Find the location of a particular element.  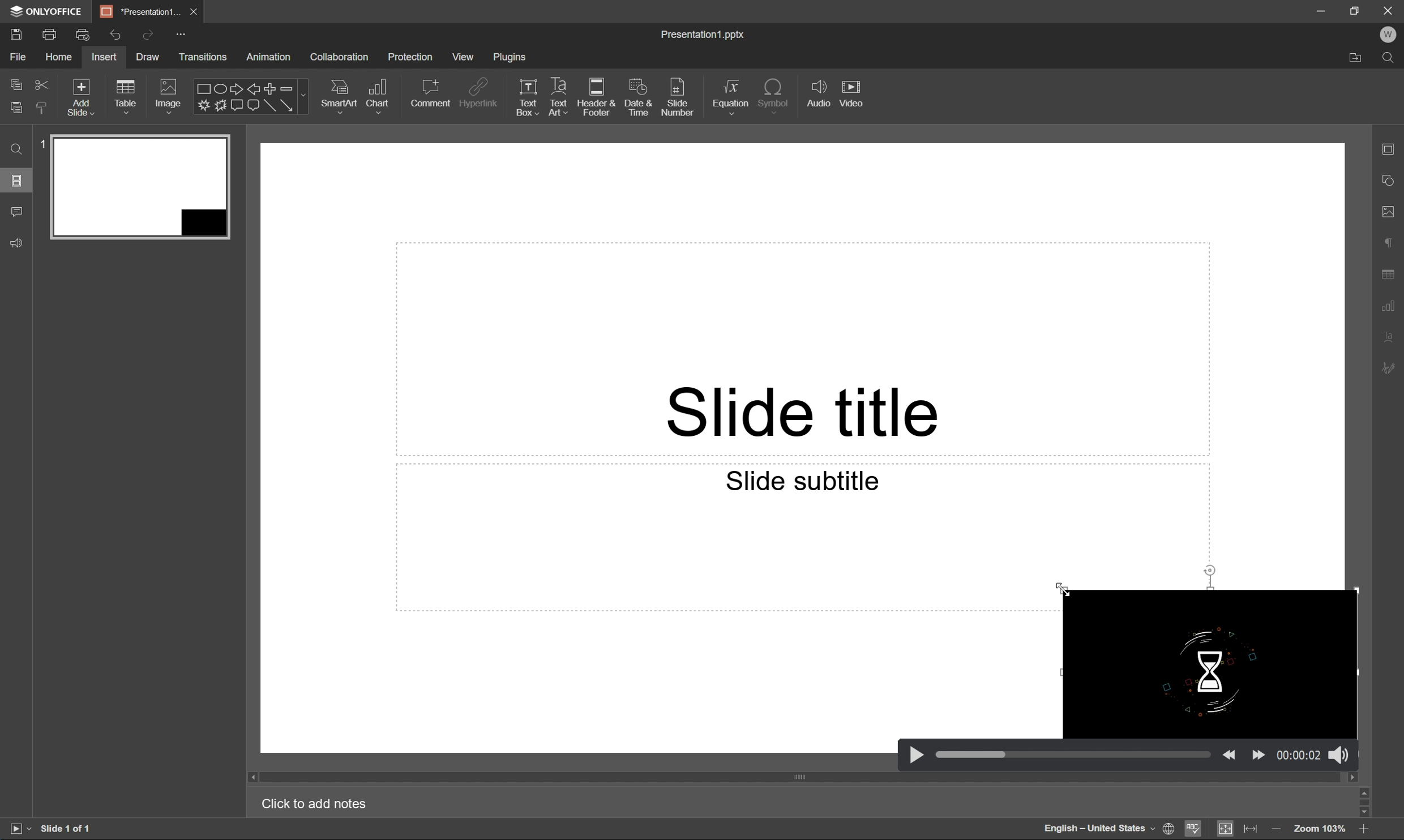

mouse pointer is located at coordinates (1061, 594).